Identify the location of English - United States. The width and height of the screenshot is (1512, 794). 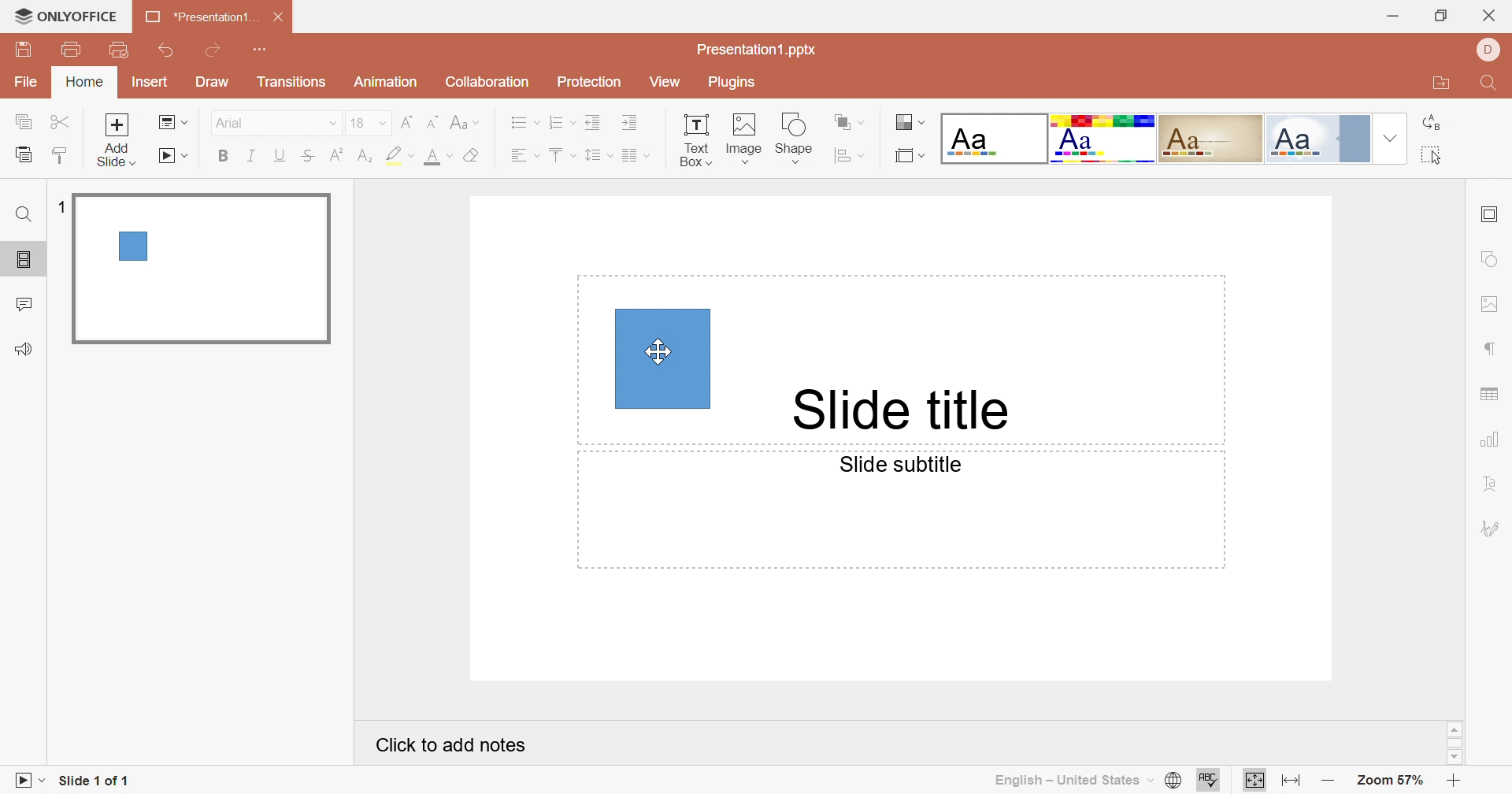
(1069, 779).